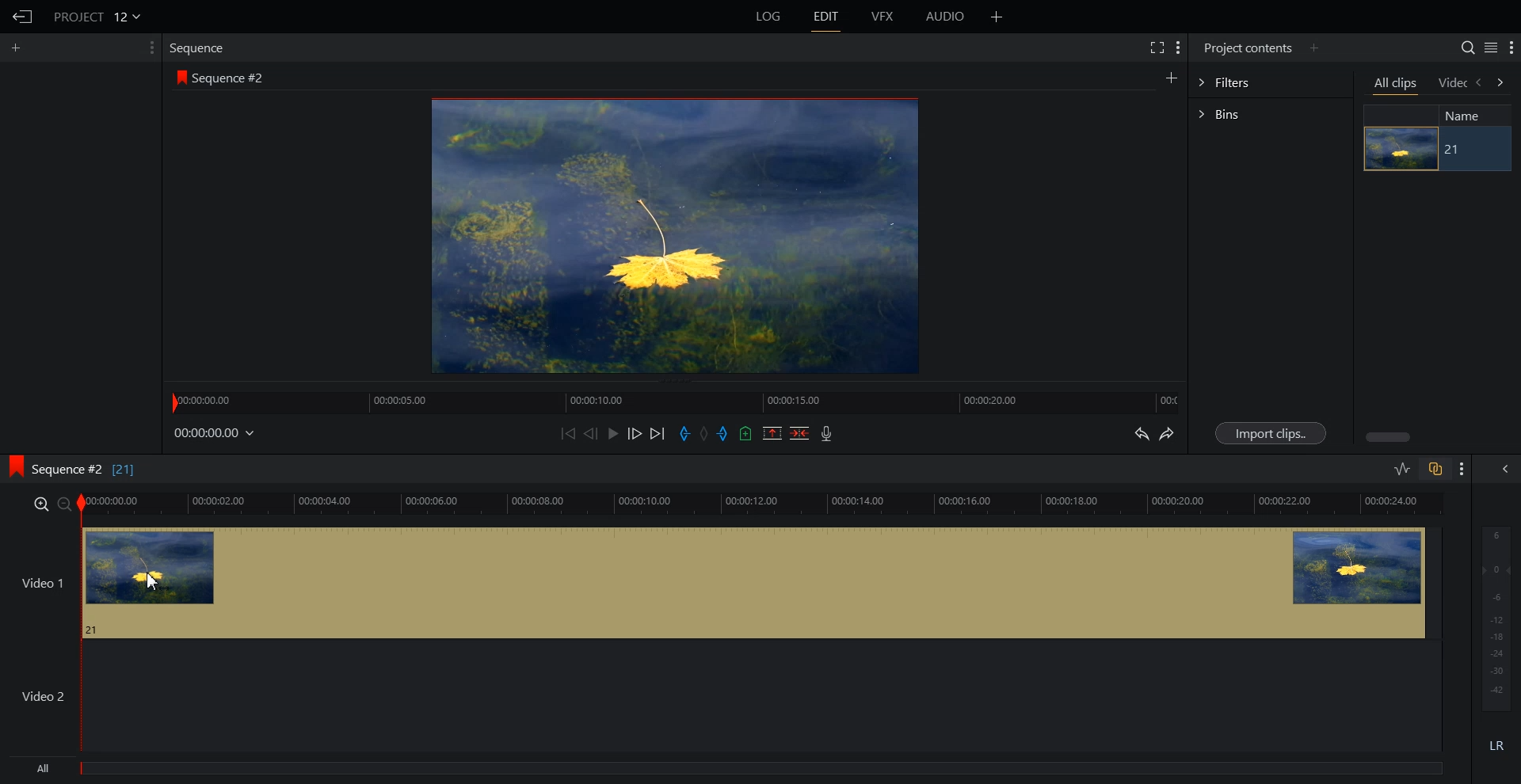 The height and width of the screenshot is (784, 1521). Describe the element at coordinates (723, 698) in the screenshot. I see `Video 2` at that location.